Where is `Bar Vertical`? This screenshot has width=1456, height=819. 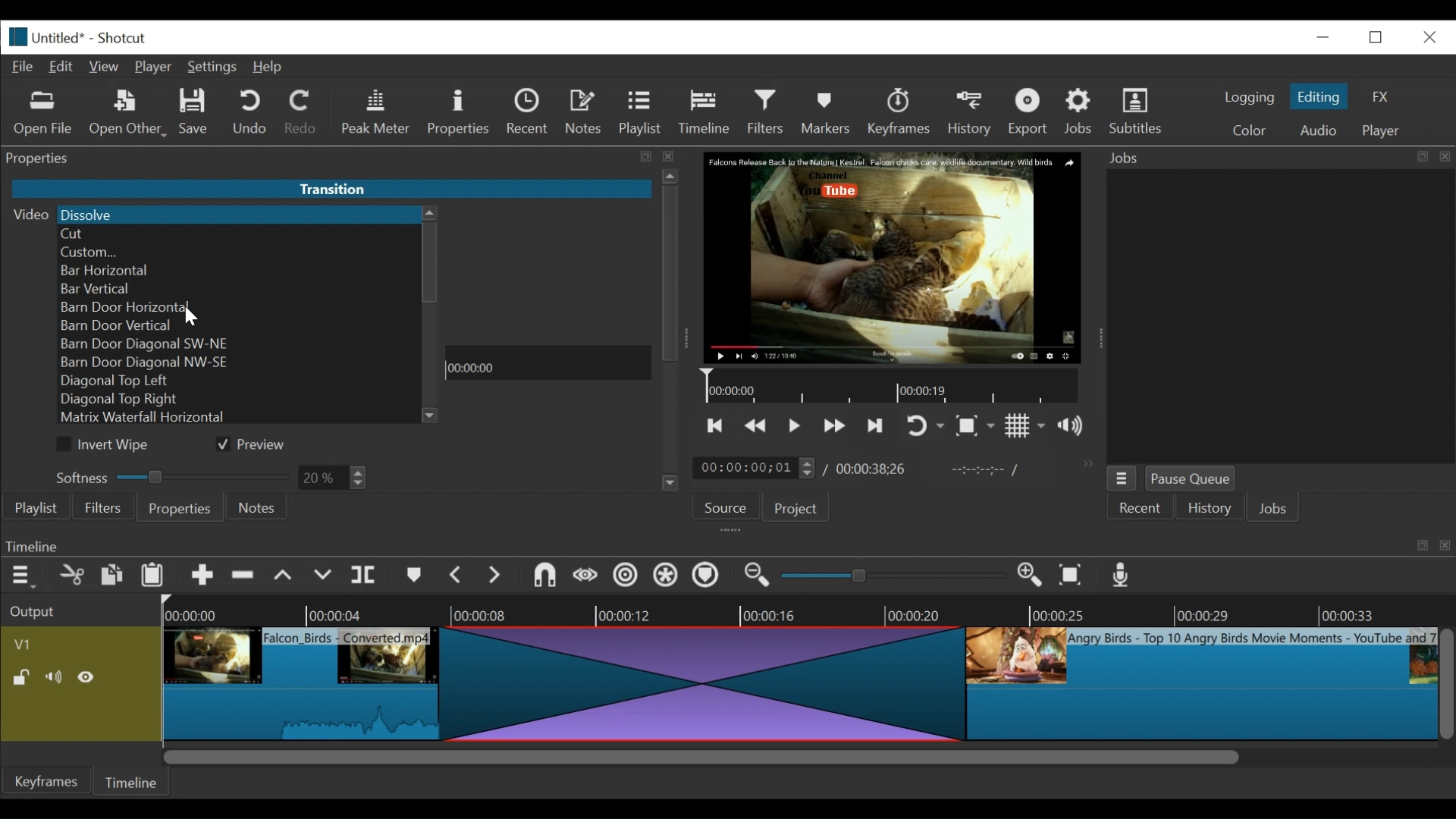 Bar Vertical is located at coordinates (239, 288).